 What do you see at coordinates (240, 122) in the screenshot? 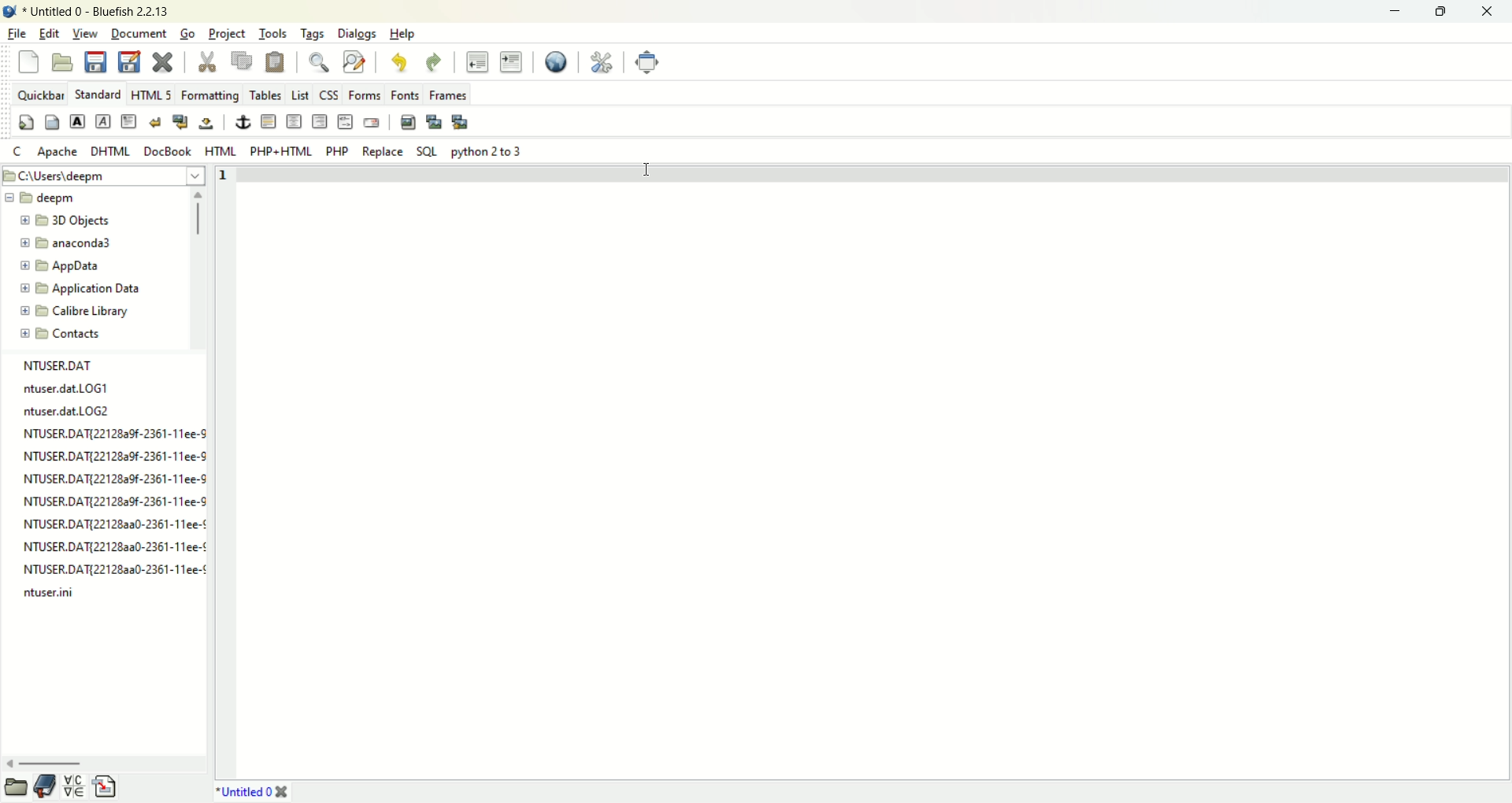
I see `anchor` at bounding box center [240, 122].